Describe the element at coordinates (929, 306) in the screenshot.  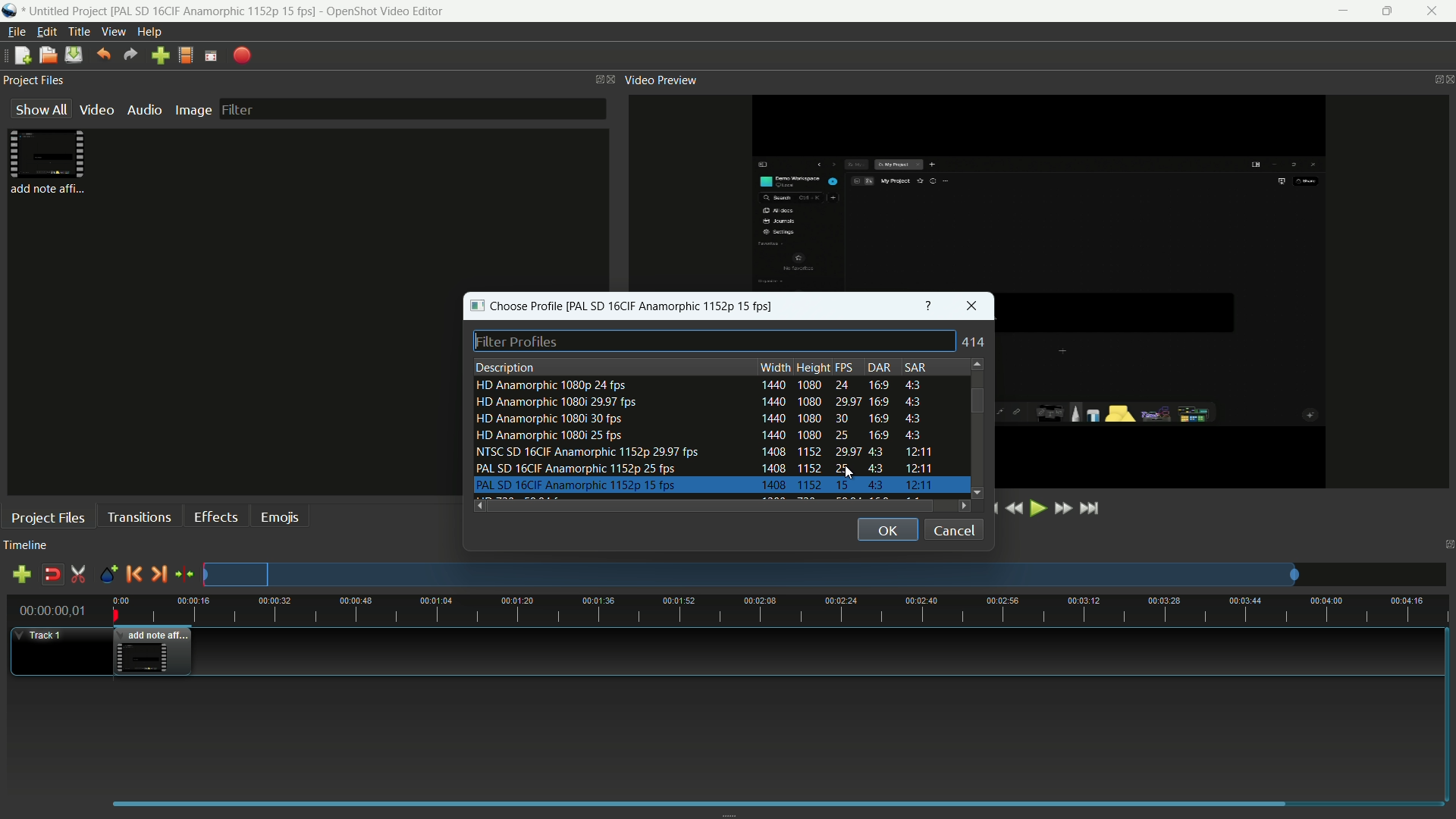
I see `get help` at that location.